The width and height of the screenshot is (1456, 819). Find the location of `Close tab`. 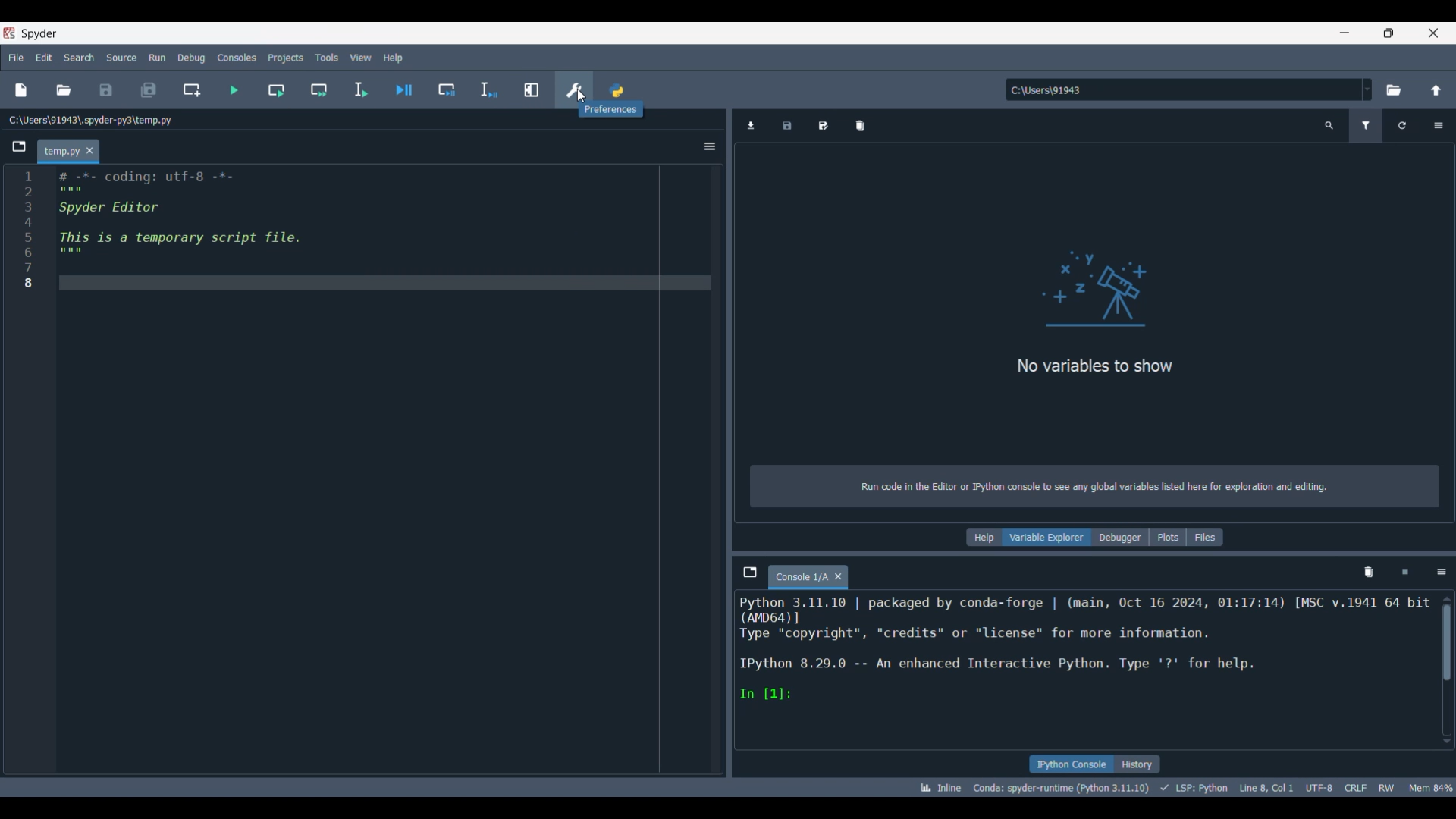

Close tab is located at coordinates (838, 576).